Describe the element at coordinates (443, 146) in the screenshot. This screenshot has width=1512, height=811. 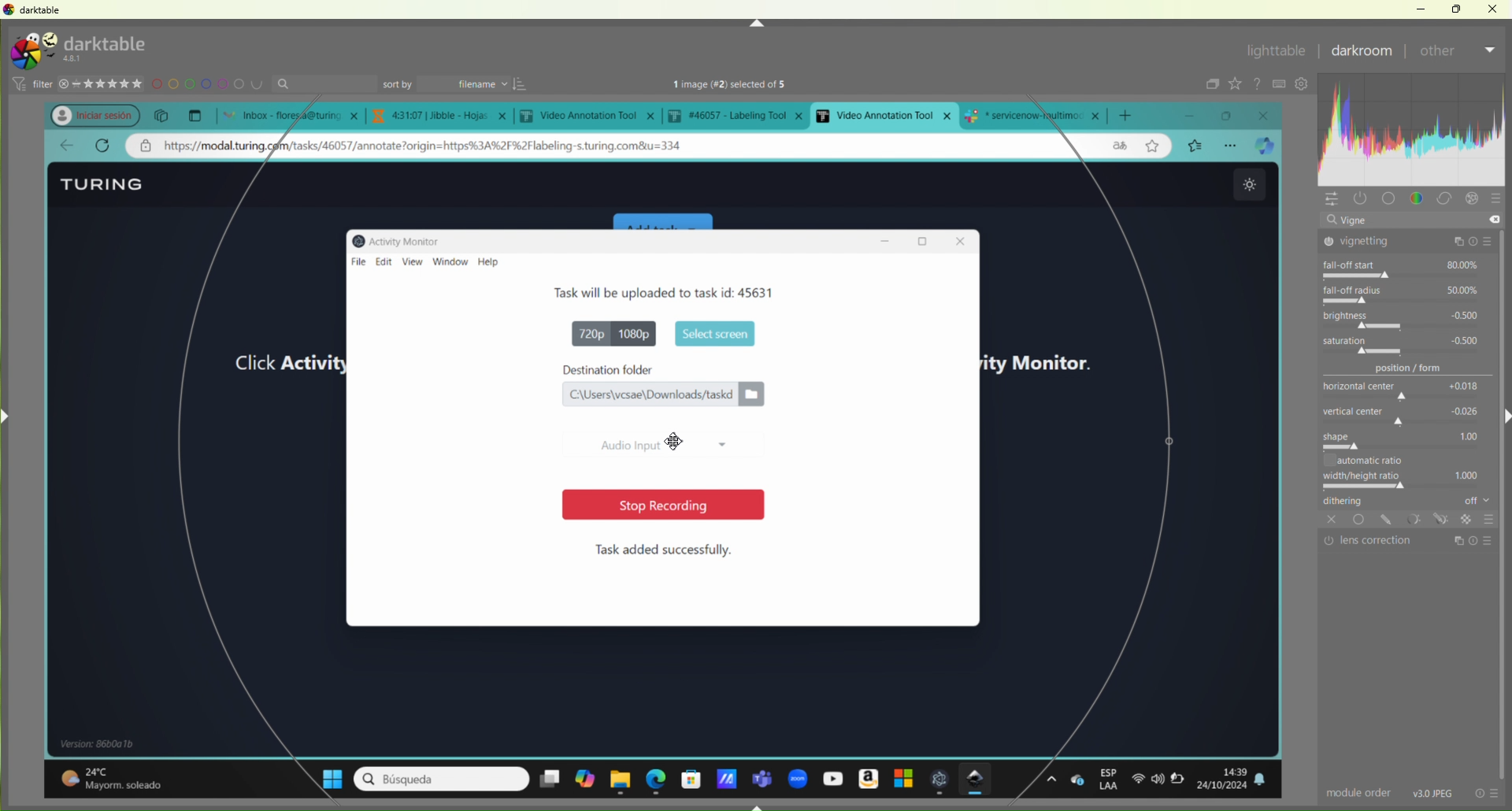
I see `web address` at that location.